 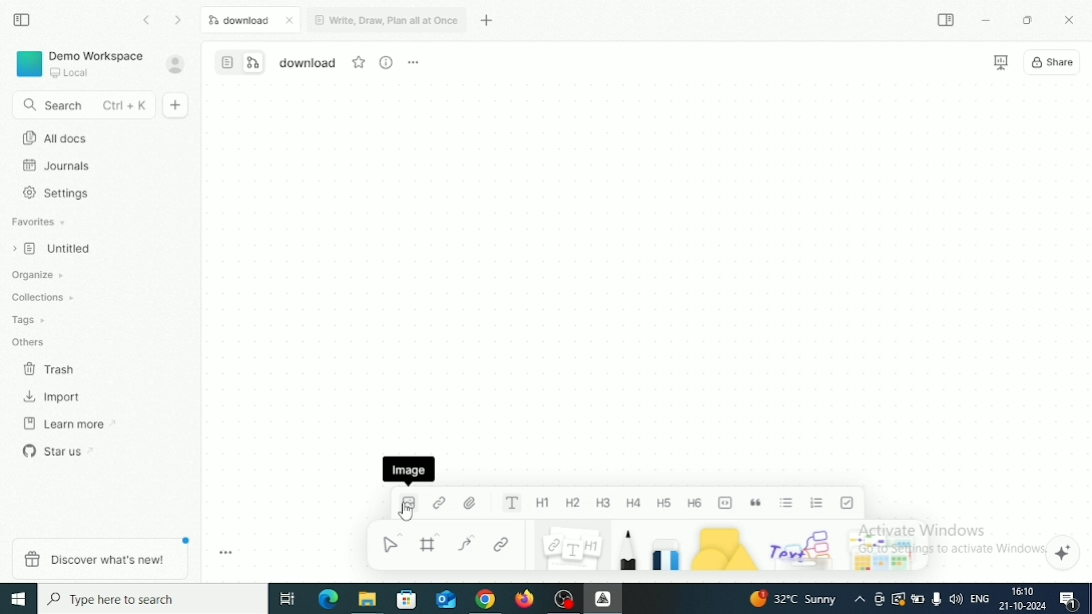 I want to click on Shape, so click(x=726, y=547).